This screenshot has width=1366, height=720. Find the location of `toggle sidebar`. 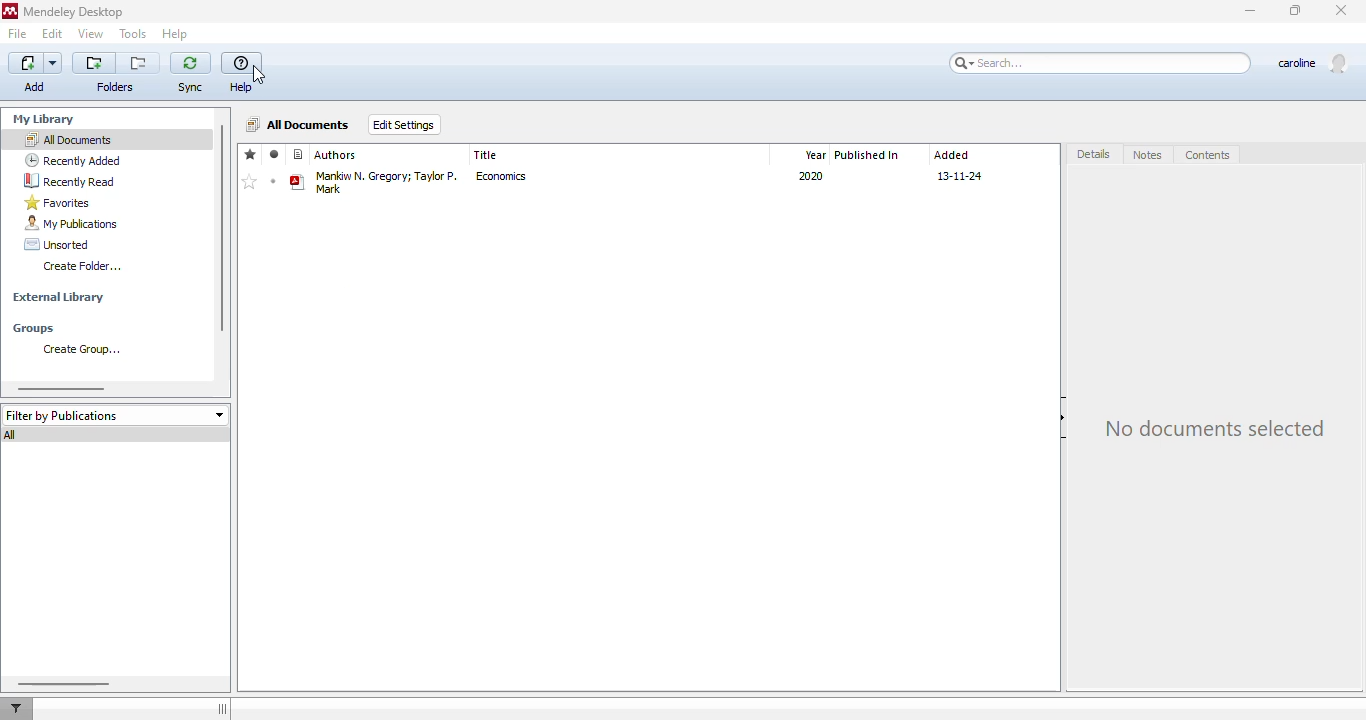

toggle sidebar is located at coordinates (222, 709).